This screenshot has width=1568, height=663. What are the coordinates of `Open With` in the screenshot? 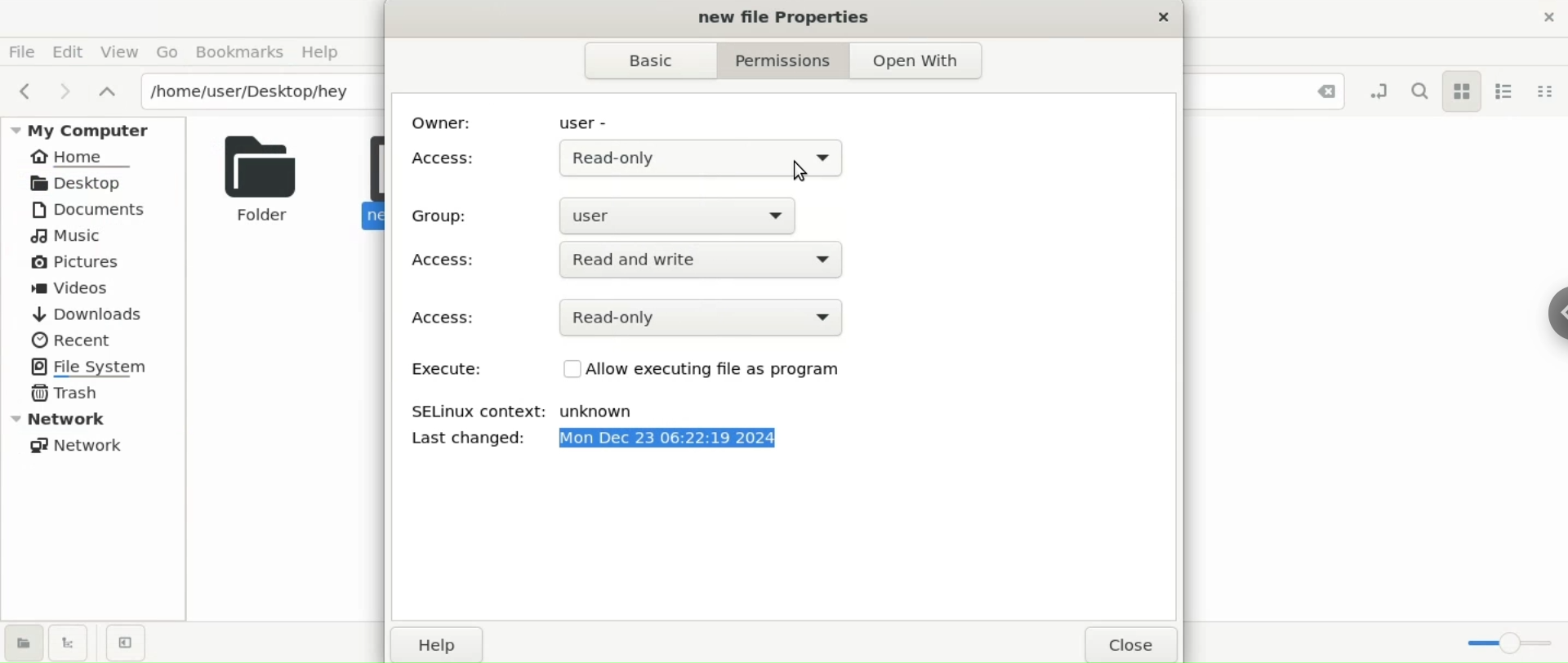 It's located at (919, 61).